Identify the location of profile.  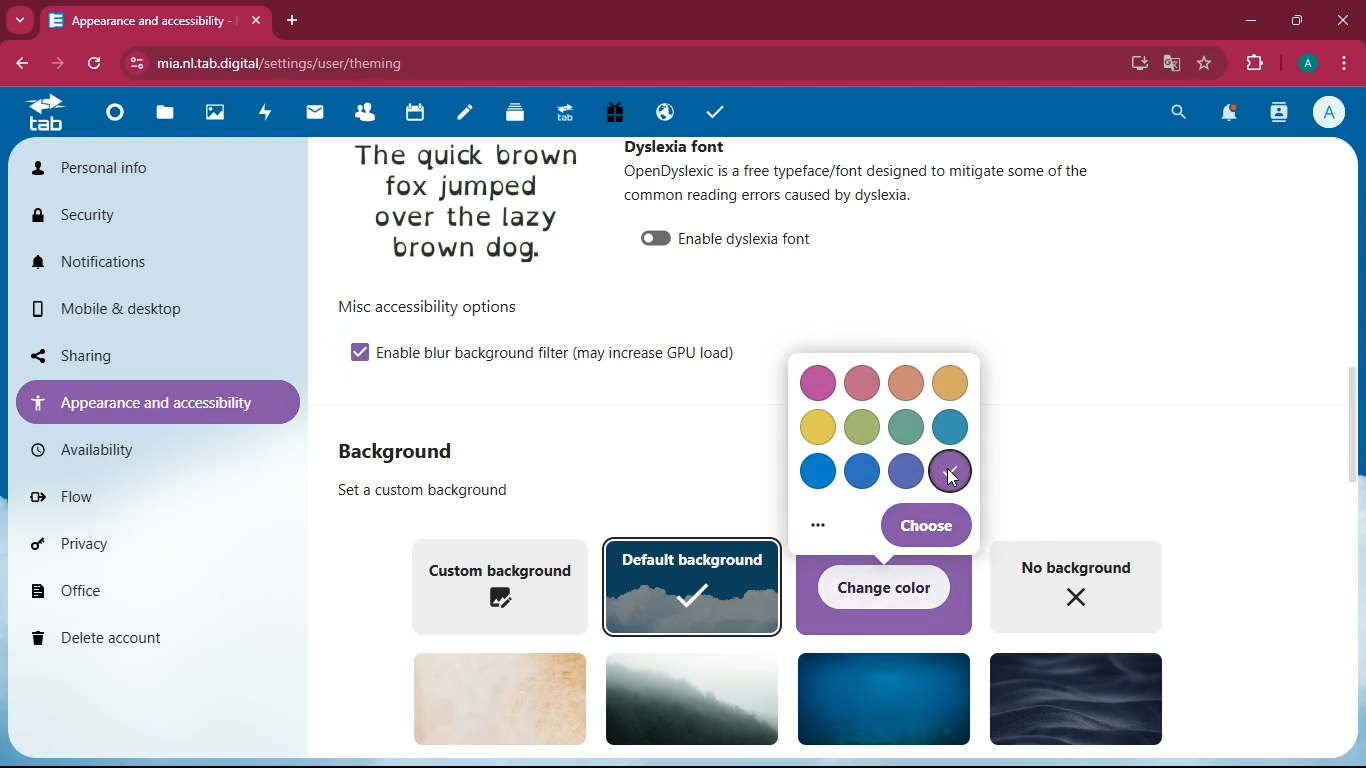
(1307, 63).